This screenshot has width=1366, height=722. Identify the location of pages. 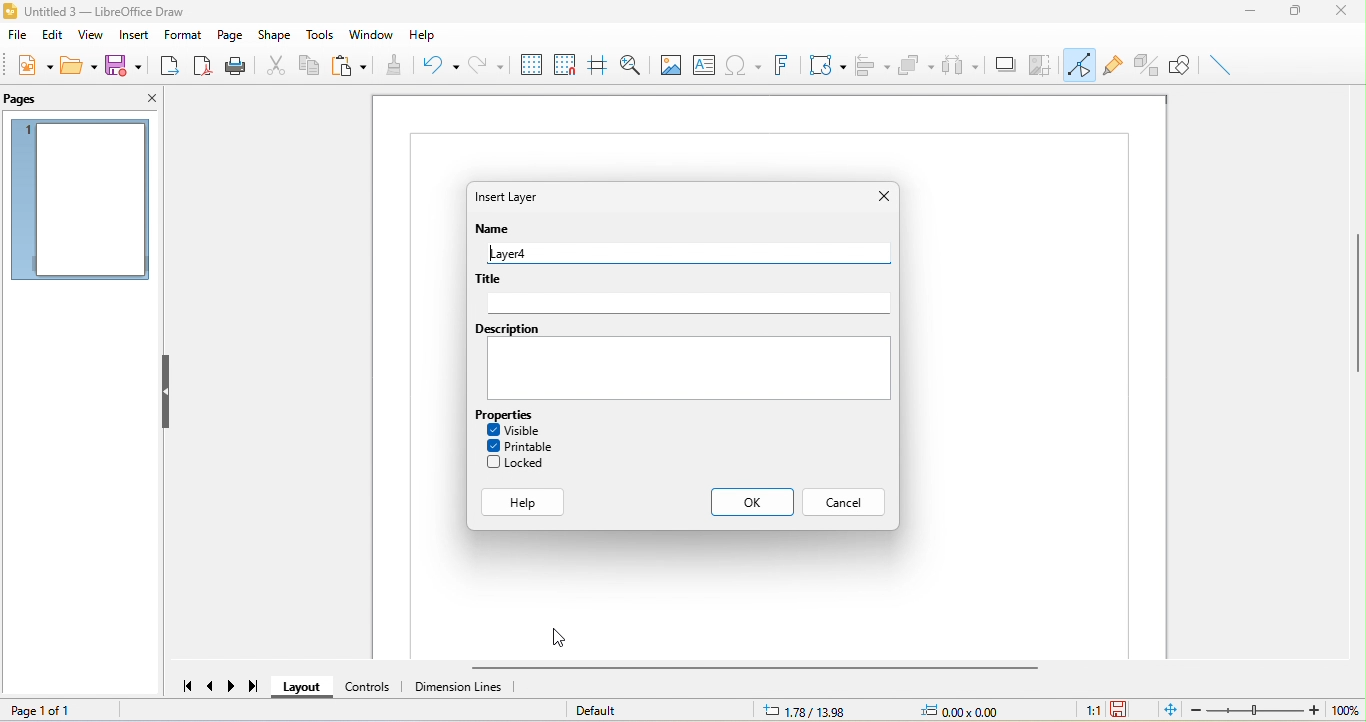
(33, 101).